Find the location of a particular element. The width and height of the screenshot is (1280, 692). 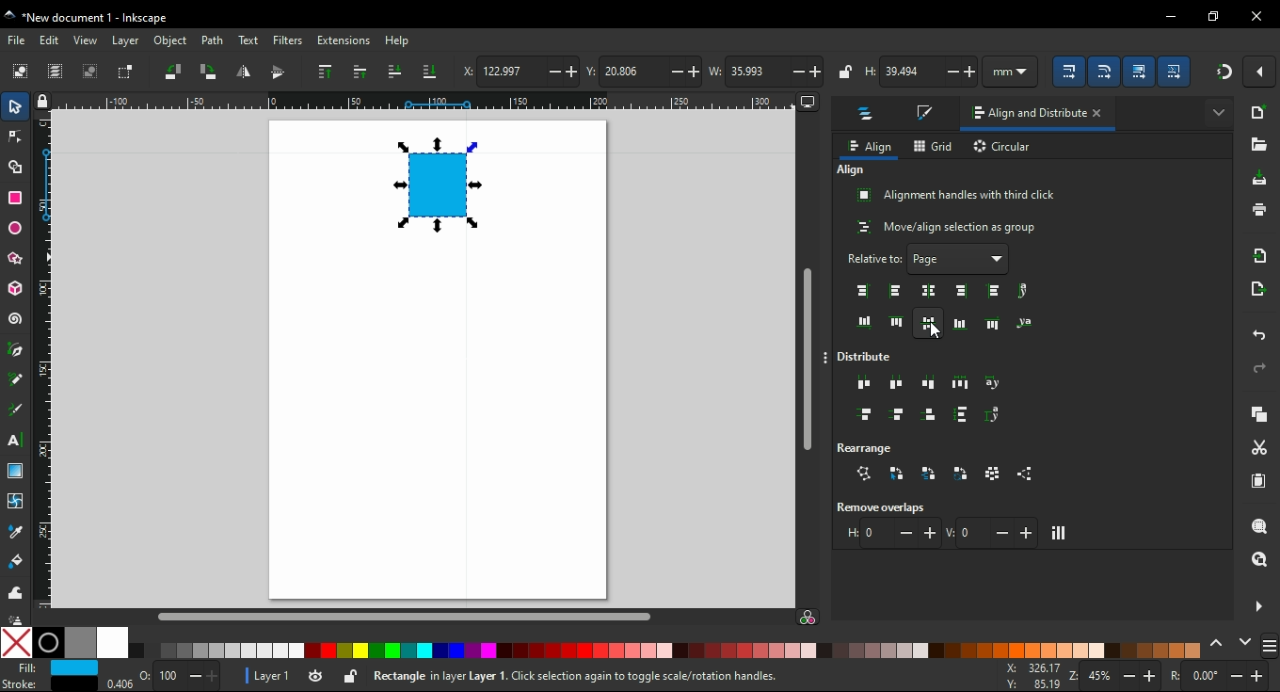

units is located at coordinates (1017, 71).